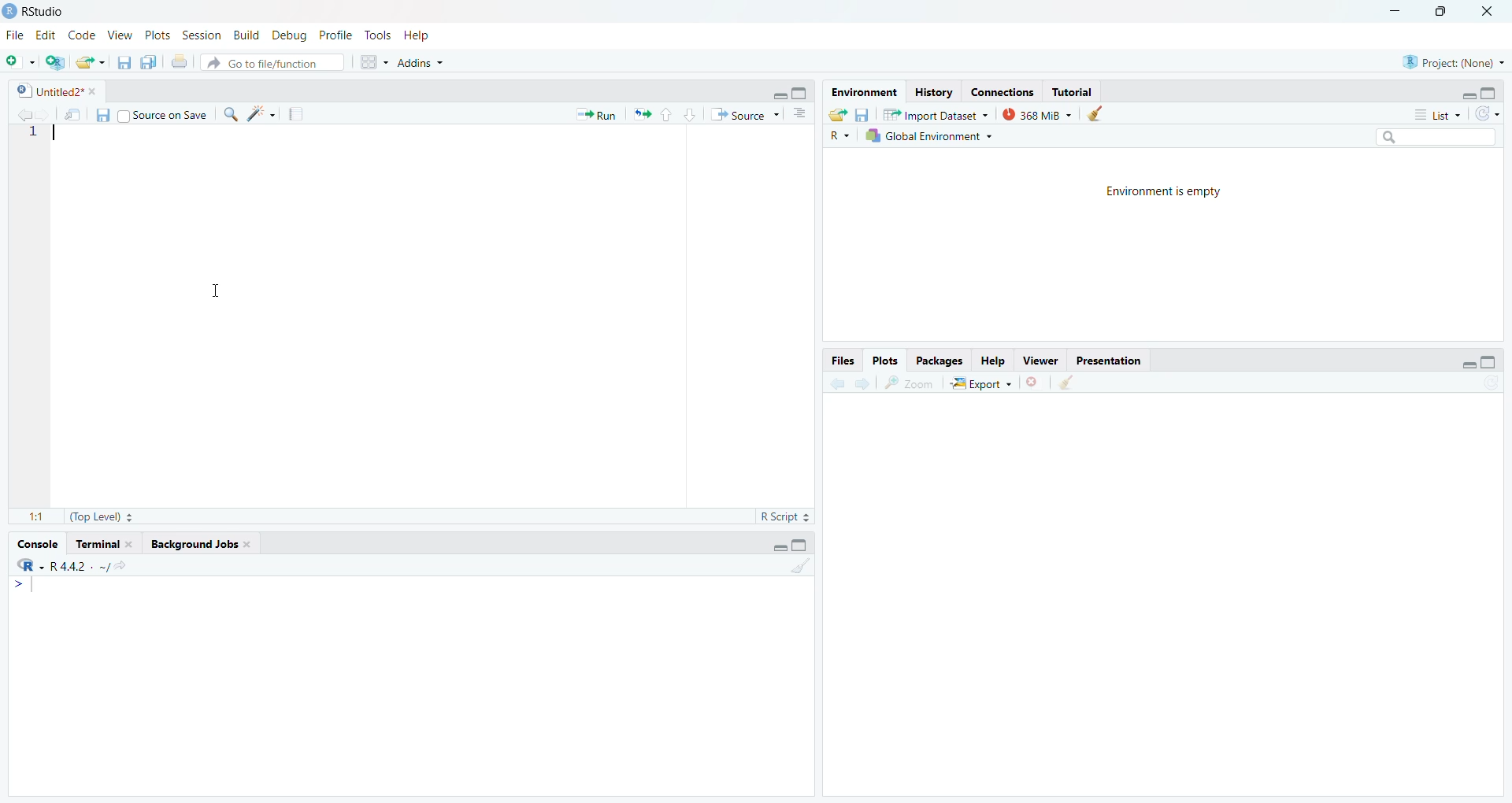 This screenshot has height=803, width=1512. Describe the element at coordinates (787, 515) in the screenshot. I see `R Script =` at that location.